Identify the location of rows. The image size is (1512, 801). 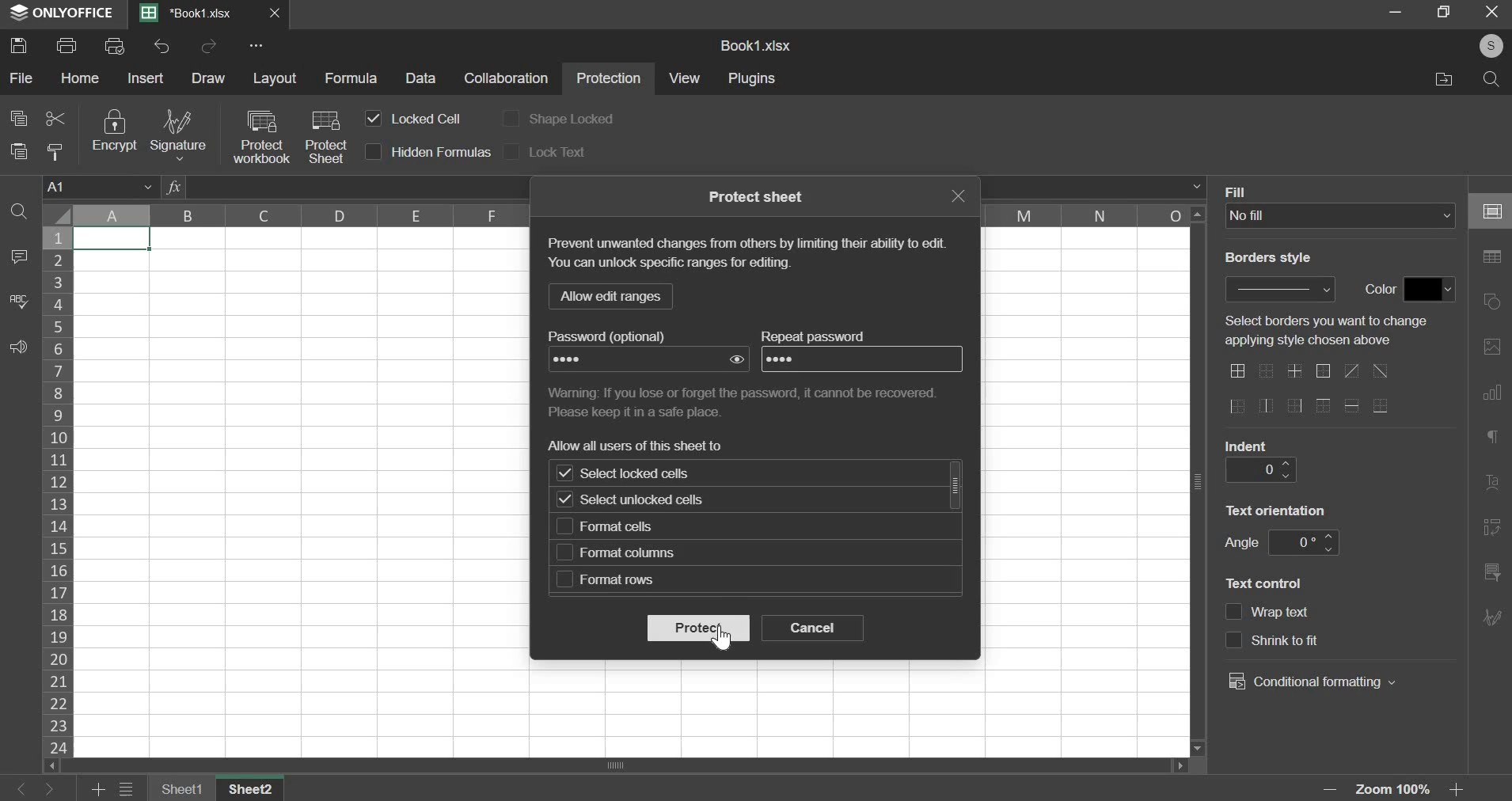
(58, 490).